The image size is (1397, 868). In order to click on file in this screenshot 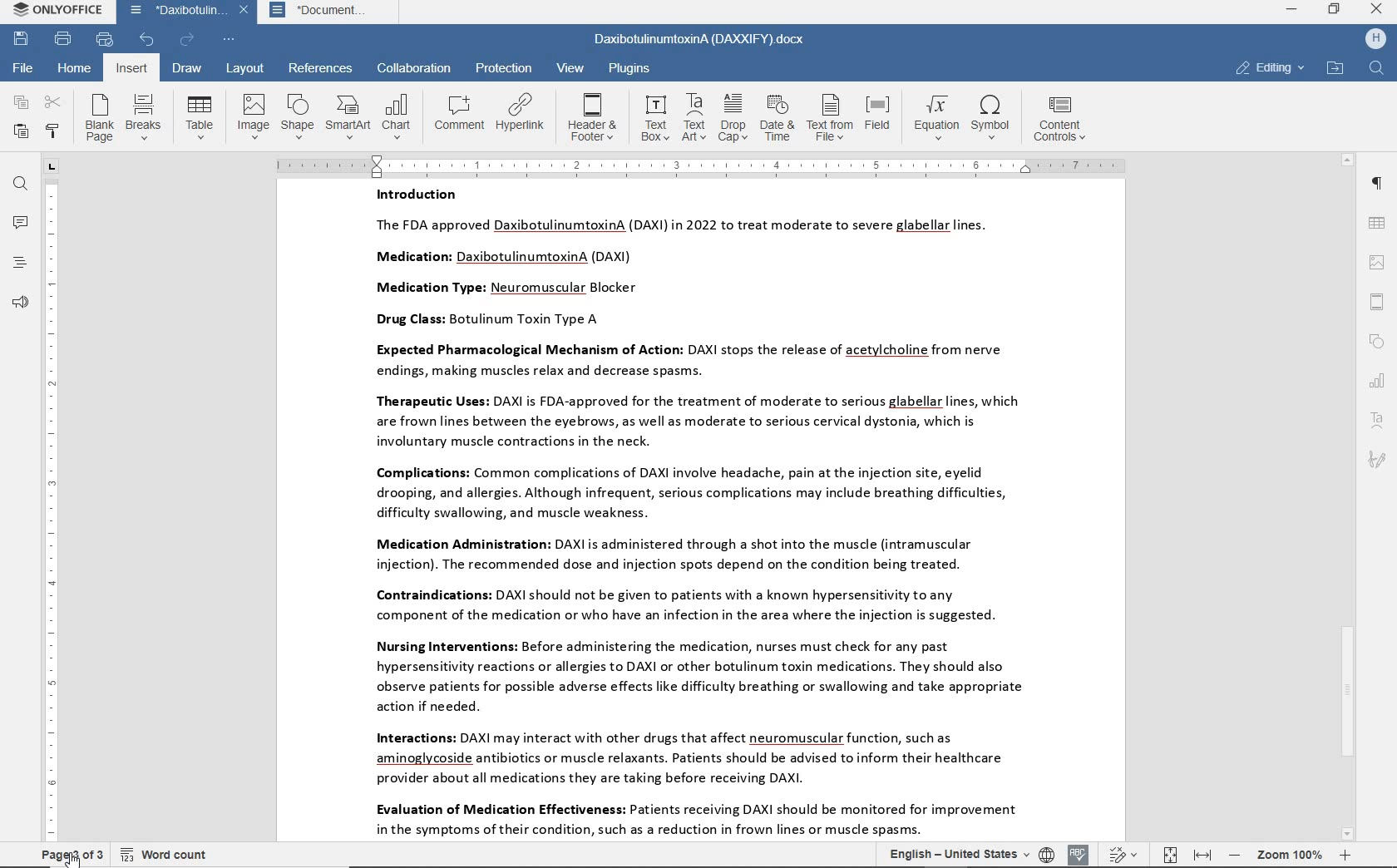, I will do `click(25, 67)`.